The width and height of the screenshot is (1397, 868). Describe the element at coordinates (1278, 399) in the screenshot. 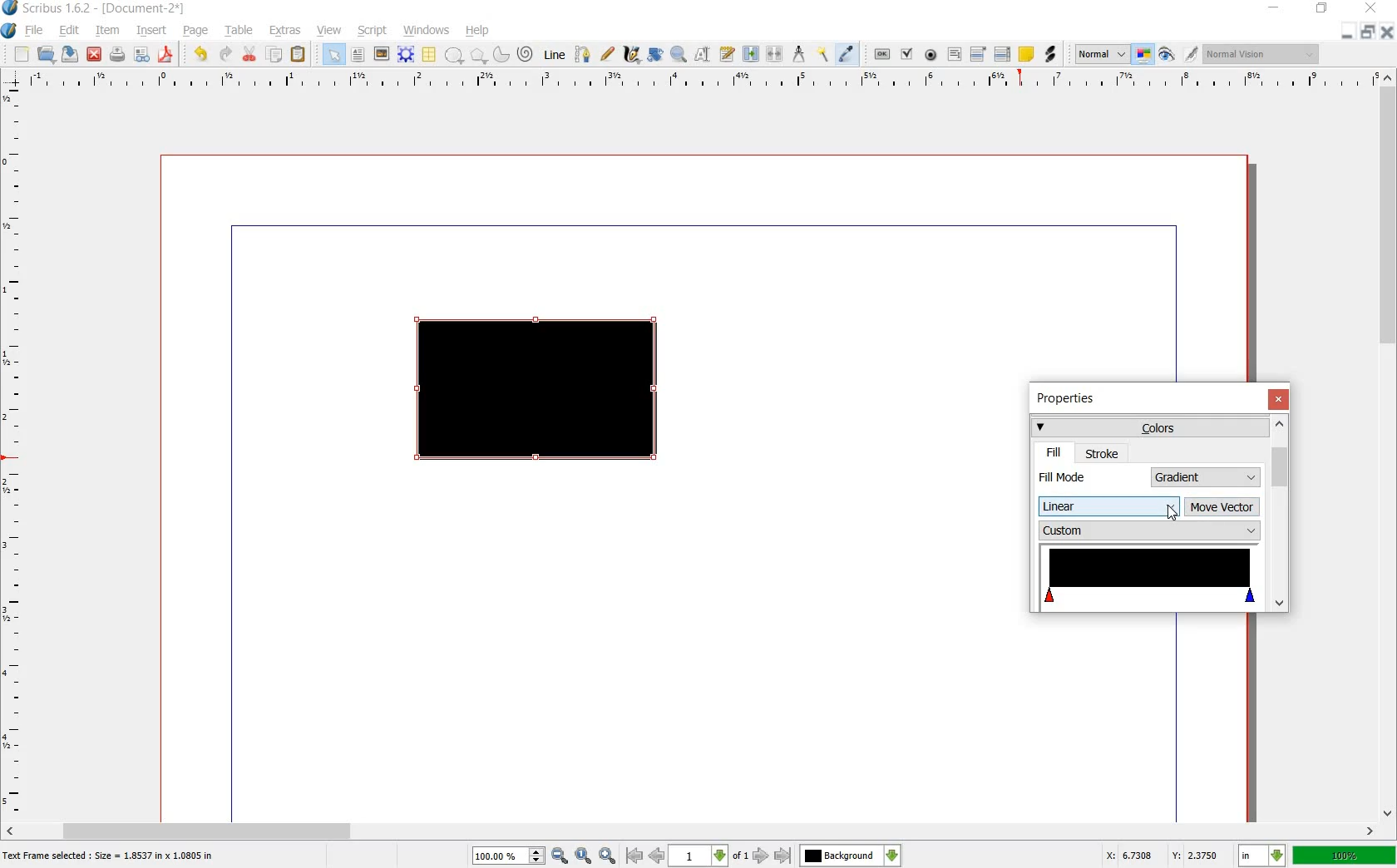

I see `close` at that location.